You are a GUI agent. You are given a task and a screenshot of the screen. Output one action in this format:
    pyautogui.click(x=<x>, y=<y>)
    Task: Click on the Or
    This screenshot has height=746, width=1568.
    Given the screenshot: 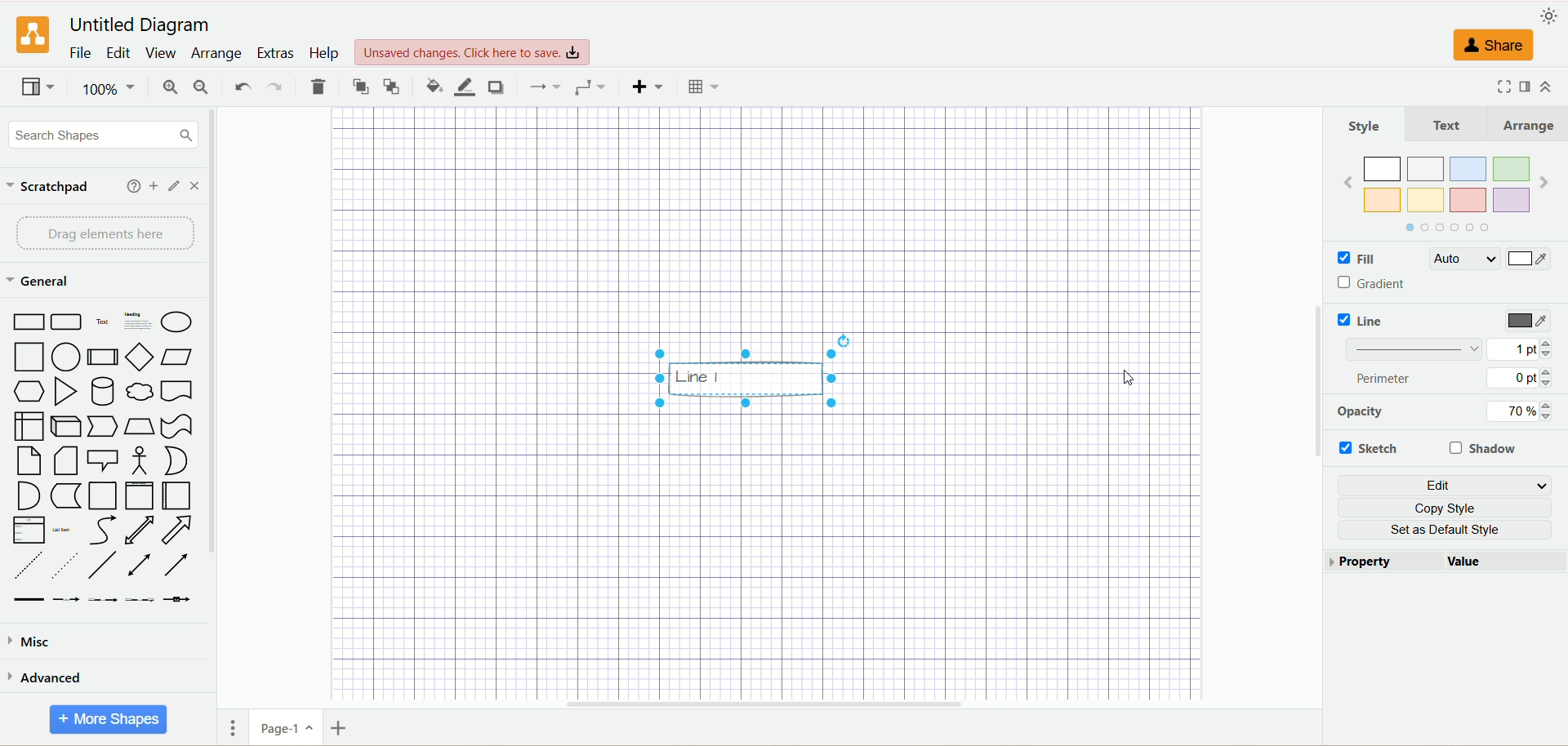 What is the action you would take?
    pyautogui.click(x=176, y=461)
    